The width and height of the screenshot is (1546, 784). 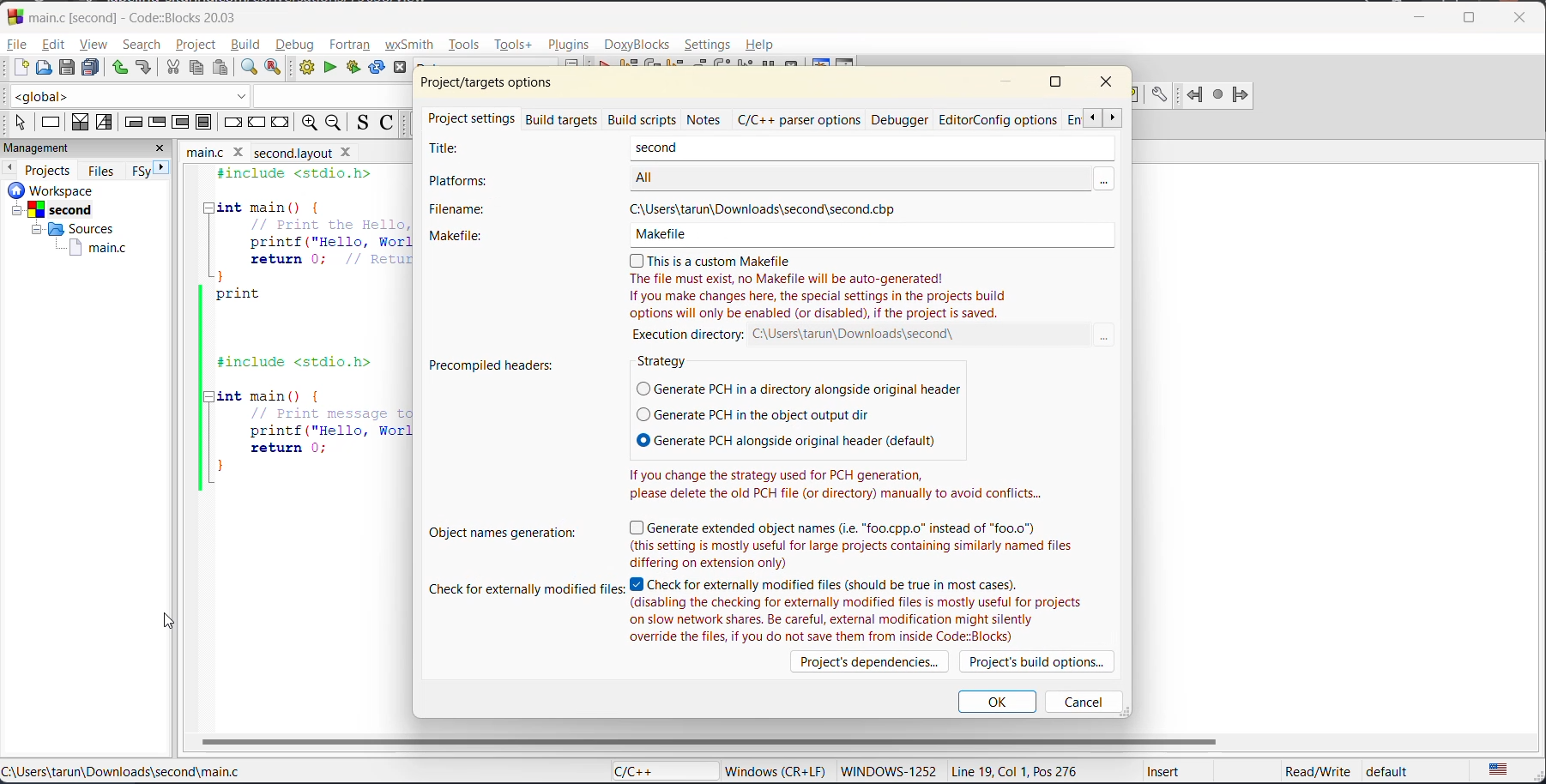 What do you see at coordinates (901, 122) in the screenshot?
I see `debugger` at bounding box center [901, 122].